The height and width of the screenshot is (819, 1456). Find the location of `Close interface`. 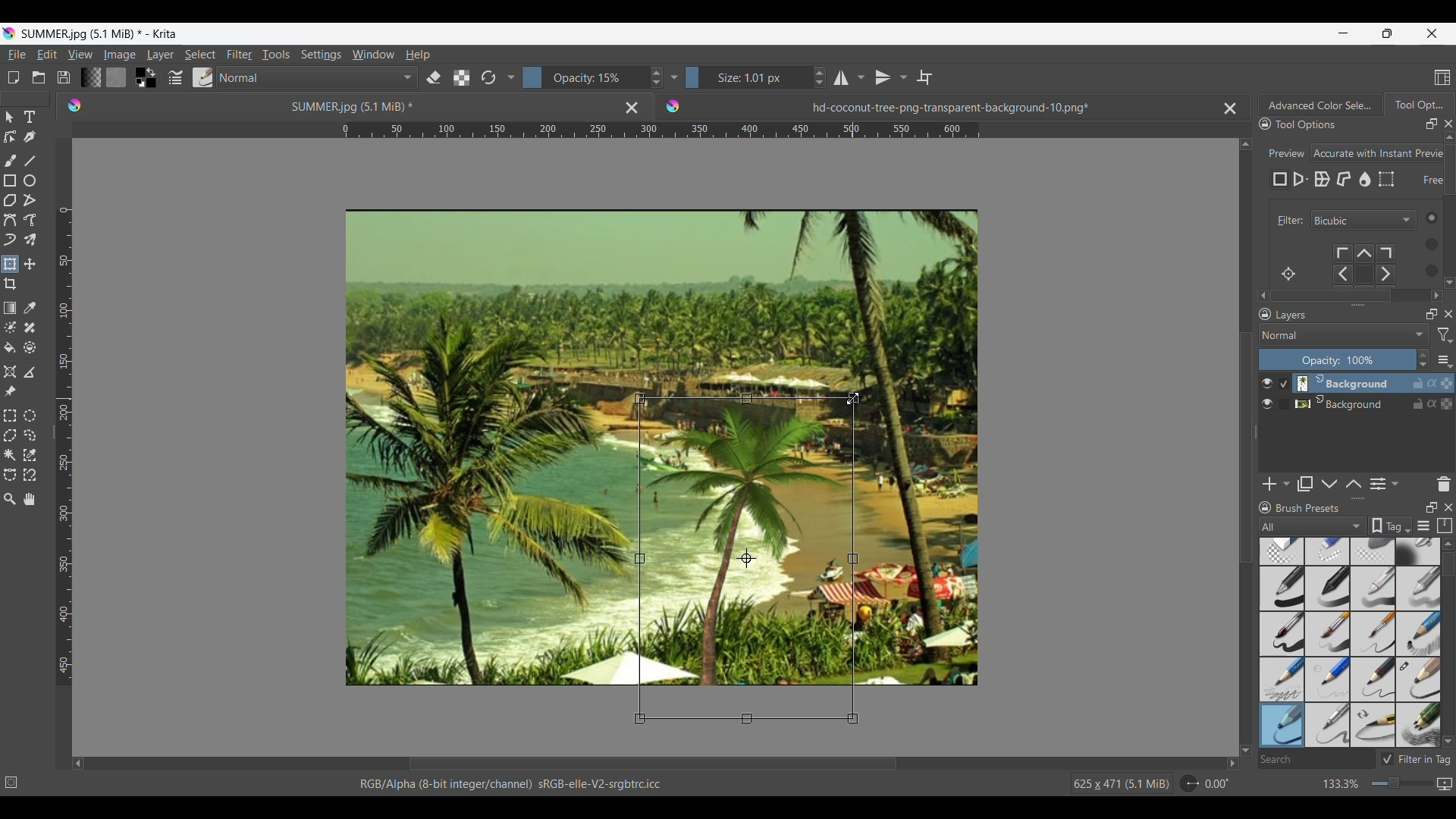

Close interface is located at coordinates (1432, 33).